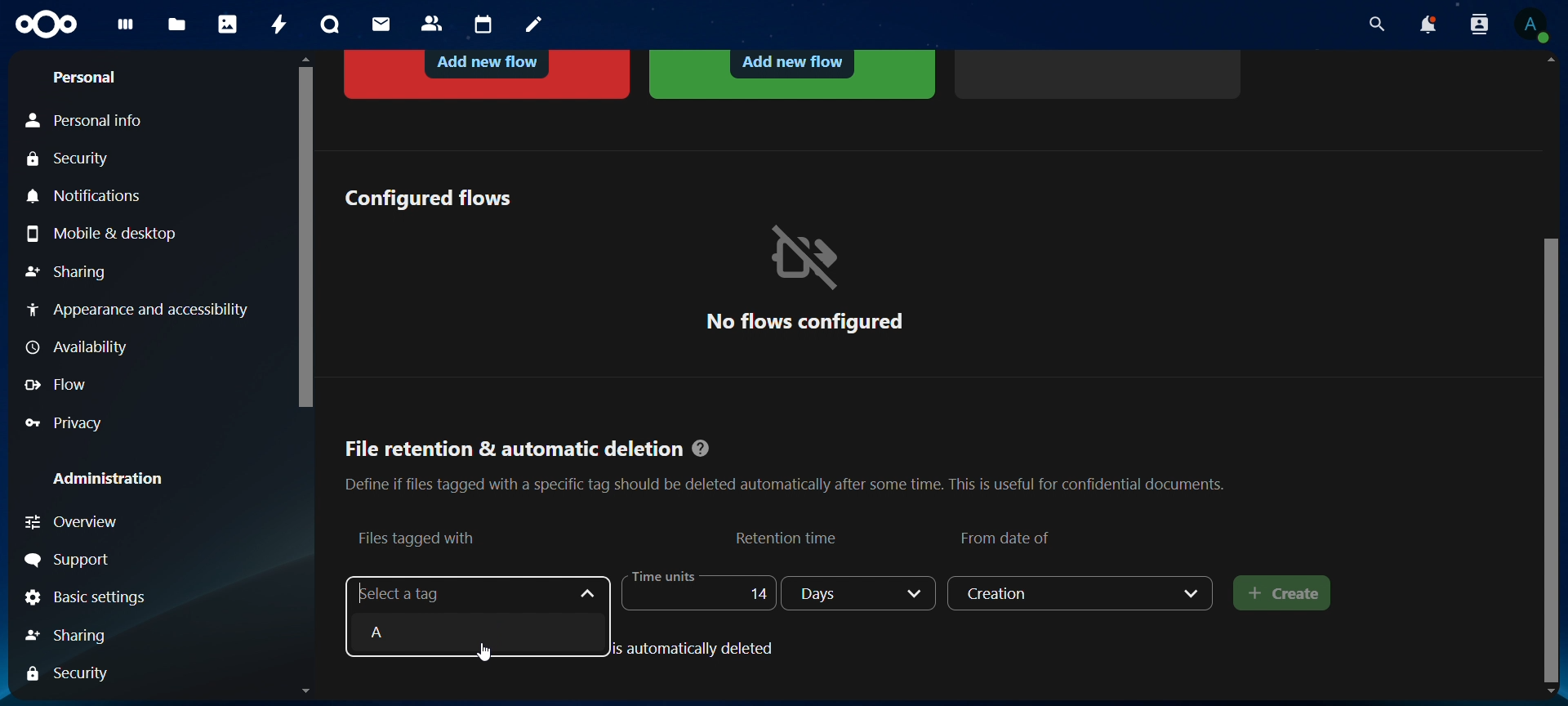 The height and width of the screenshot is (706, 1568). I want to click on talk, so click(330, 25).